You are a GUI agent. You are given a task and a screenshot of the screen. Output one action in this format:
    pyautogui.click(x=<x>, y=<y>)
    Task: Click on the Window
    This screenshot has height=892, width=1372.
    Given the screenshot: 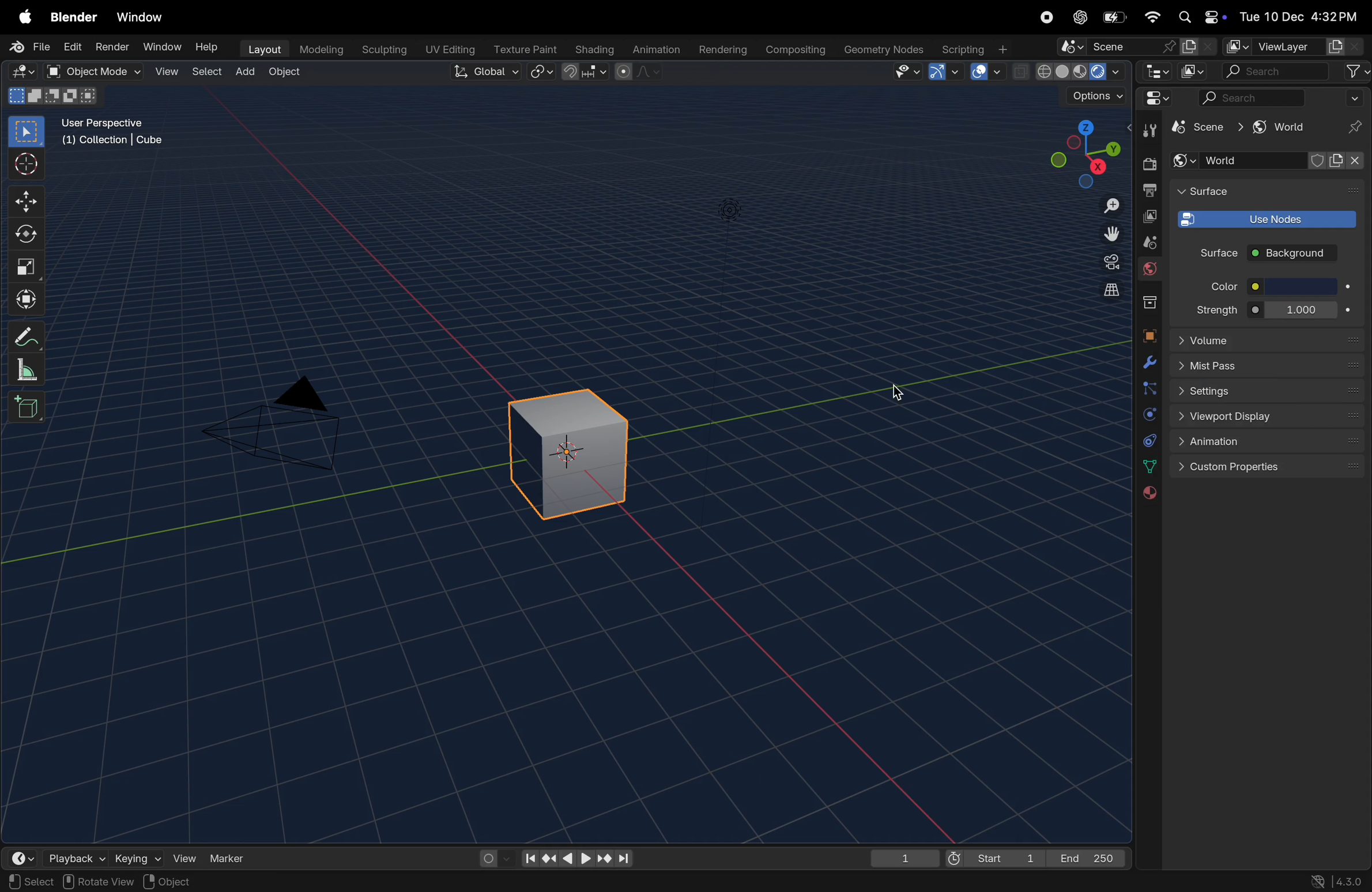 What is the action you would take?
    pyautogui.click(x=144, y=16)
    